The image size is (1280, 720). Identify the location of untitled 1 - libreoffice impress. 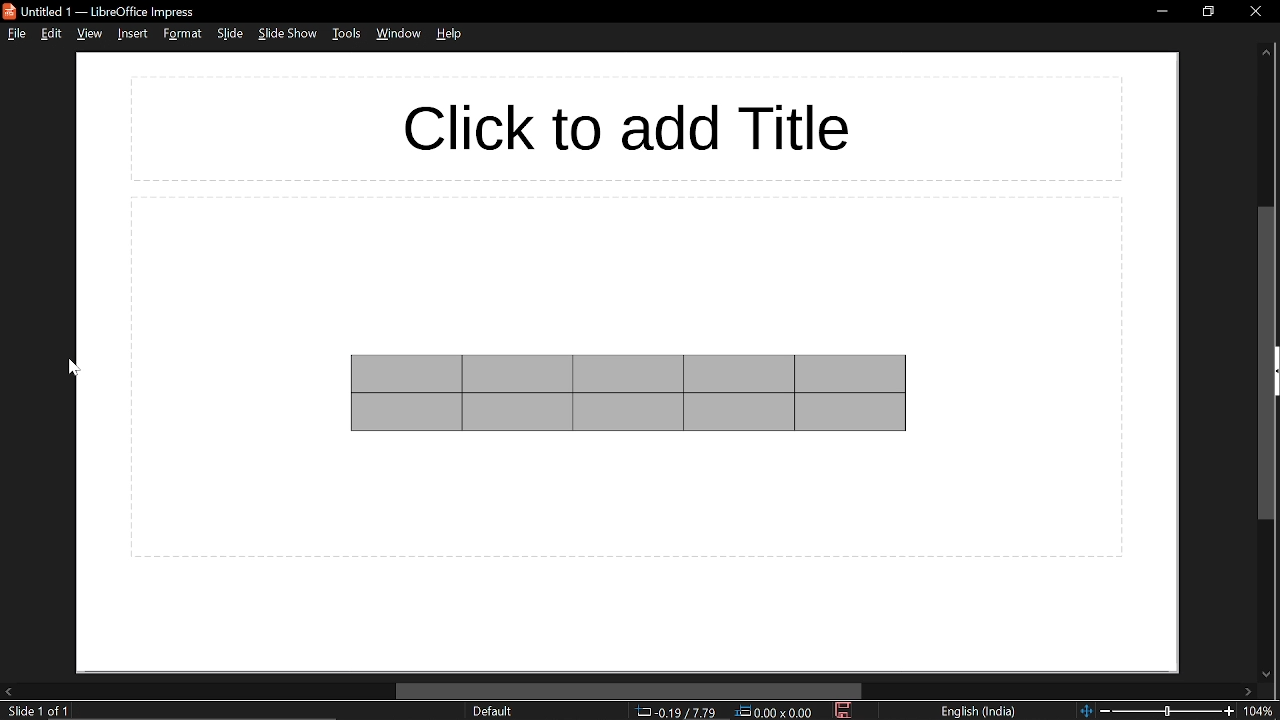
(102, 11).